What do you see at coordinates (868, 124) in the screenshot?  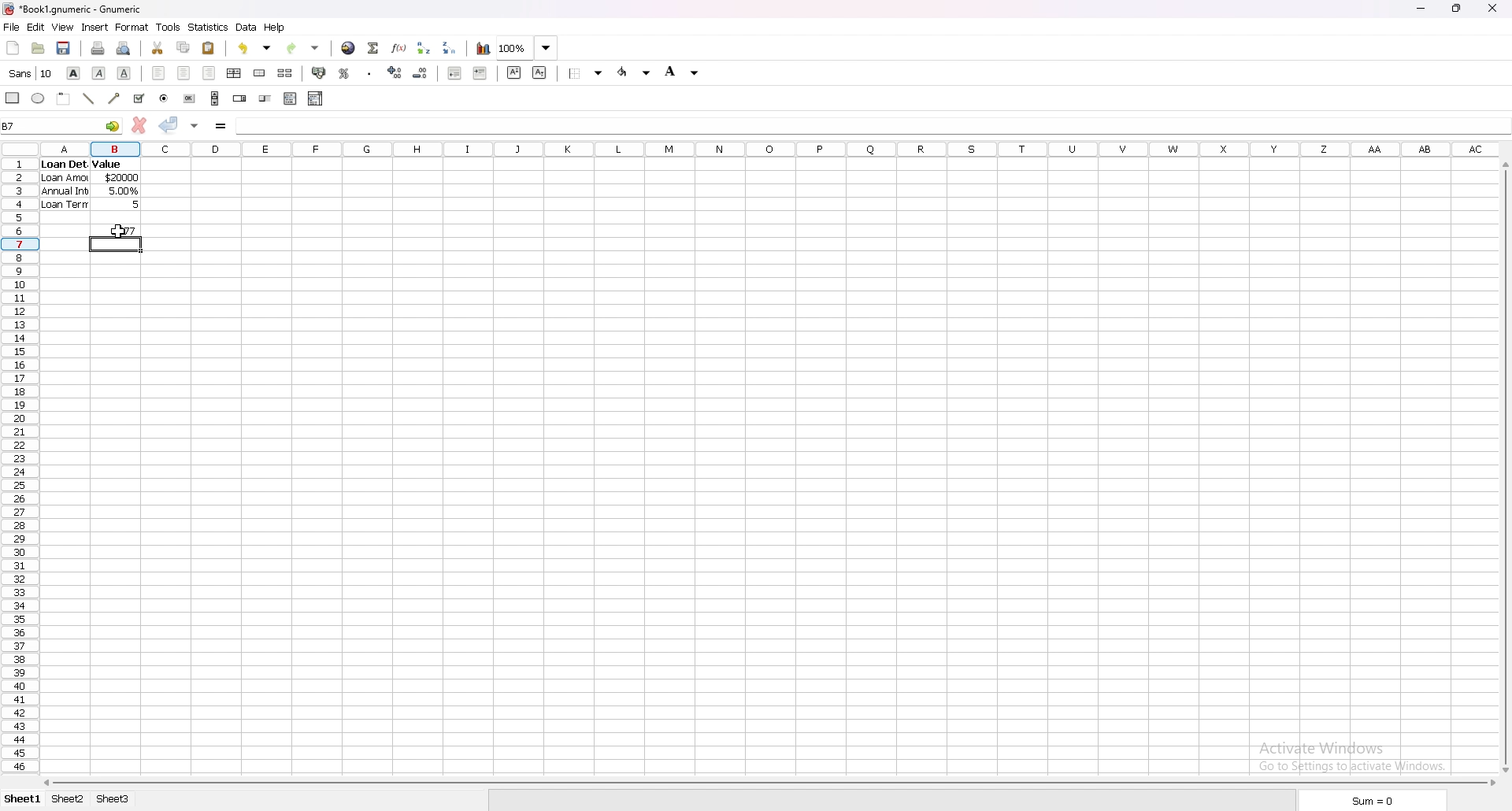 I see `cell input` at bounding box center [868, 124].